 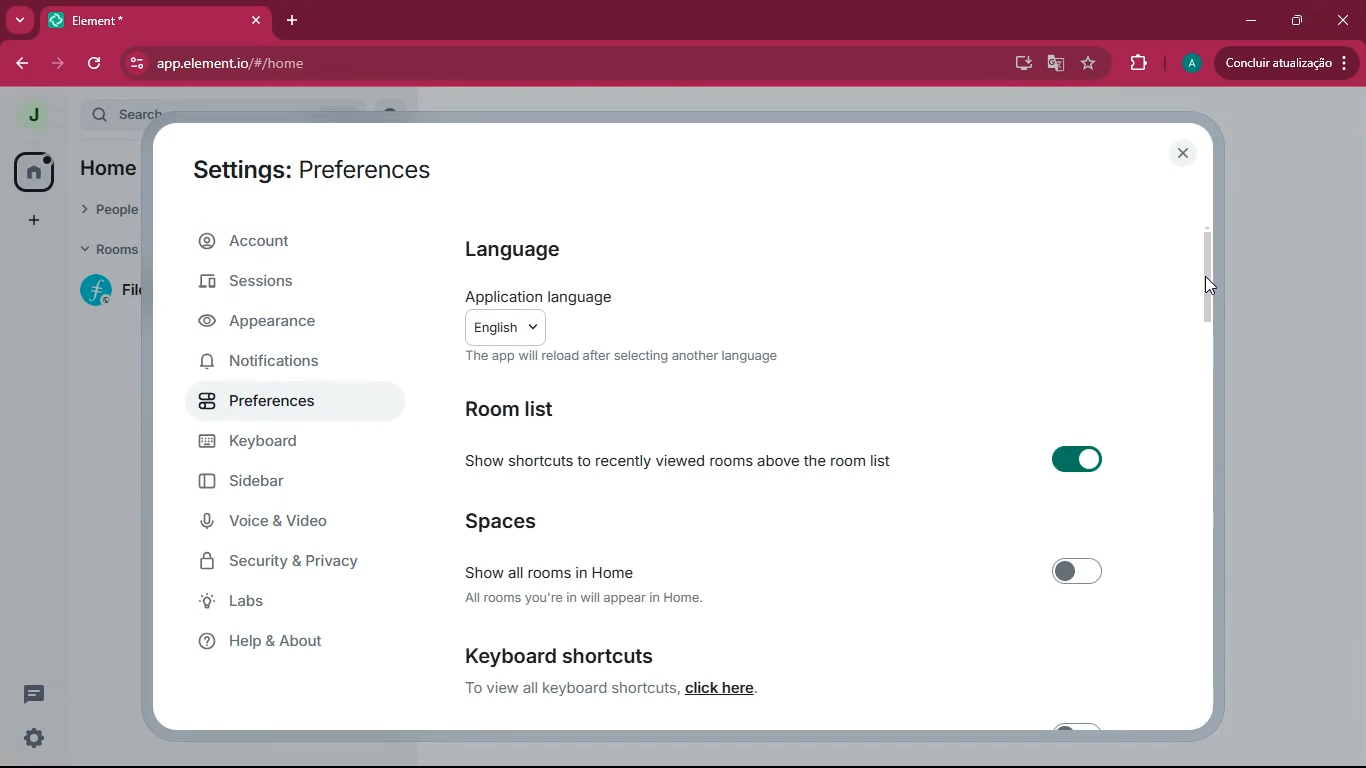 What do you see at coordinates (1191, 63) in the screenshot?
I see `profile` at bounding box center [1191, 63].